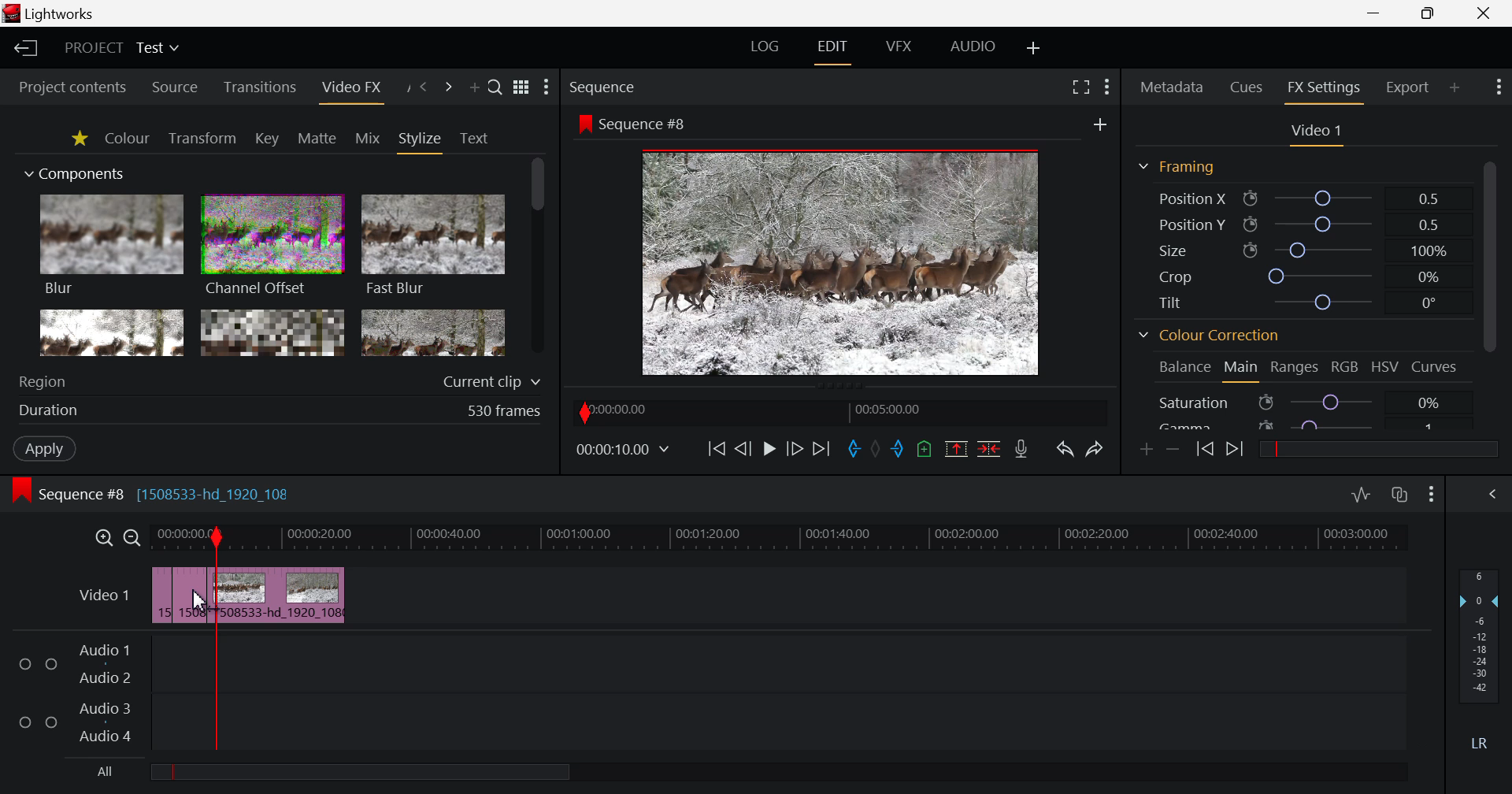 The height and width of the screenshot is (794, 1512). What do you see at coordinates (1295, 302) in the screenshot?
I see `Tilt` at bounding box center [1295, 302].